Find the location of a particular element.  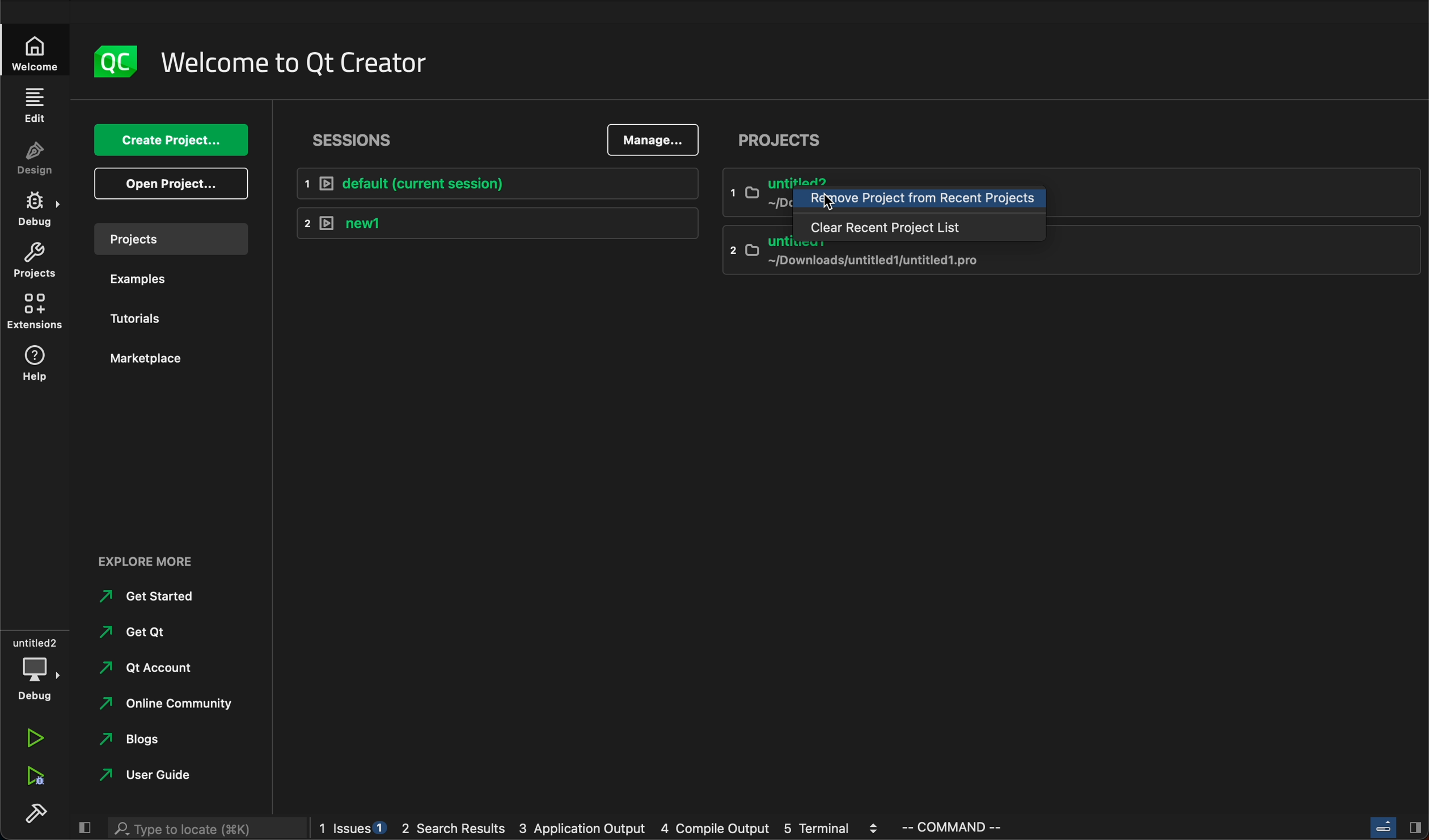

create is located at coordinates (171, 141).